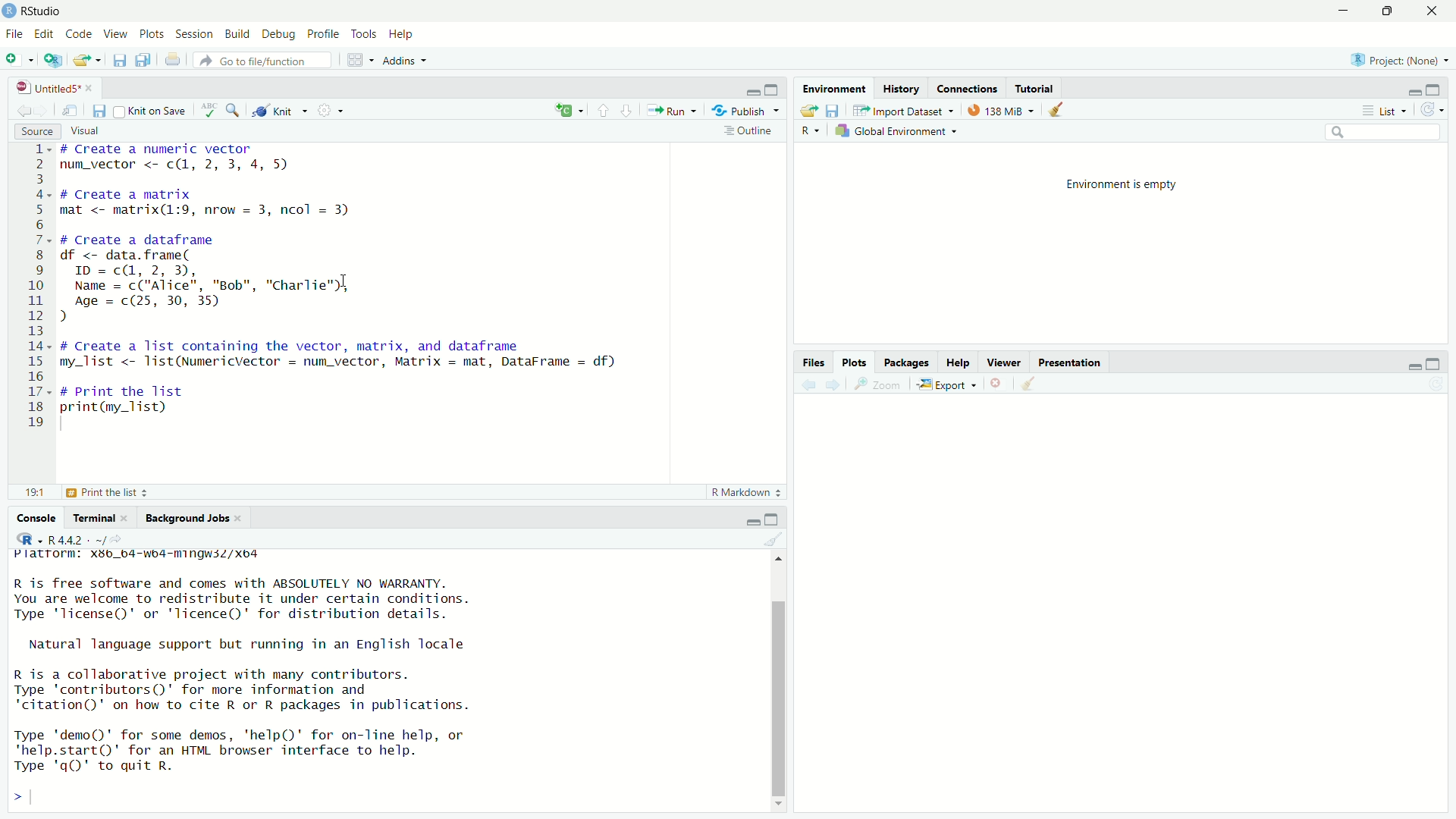 This screenshot has height=819, width=1456. Describe the element at coordinates (212, 109) in the screenshot. I see `abc` at that location.